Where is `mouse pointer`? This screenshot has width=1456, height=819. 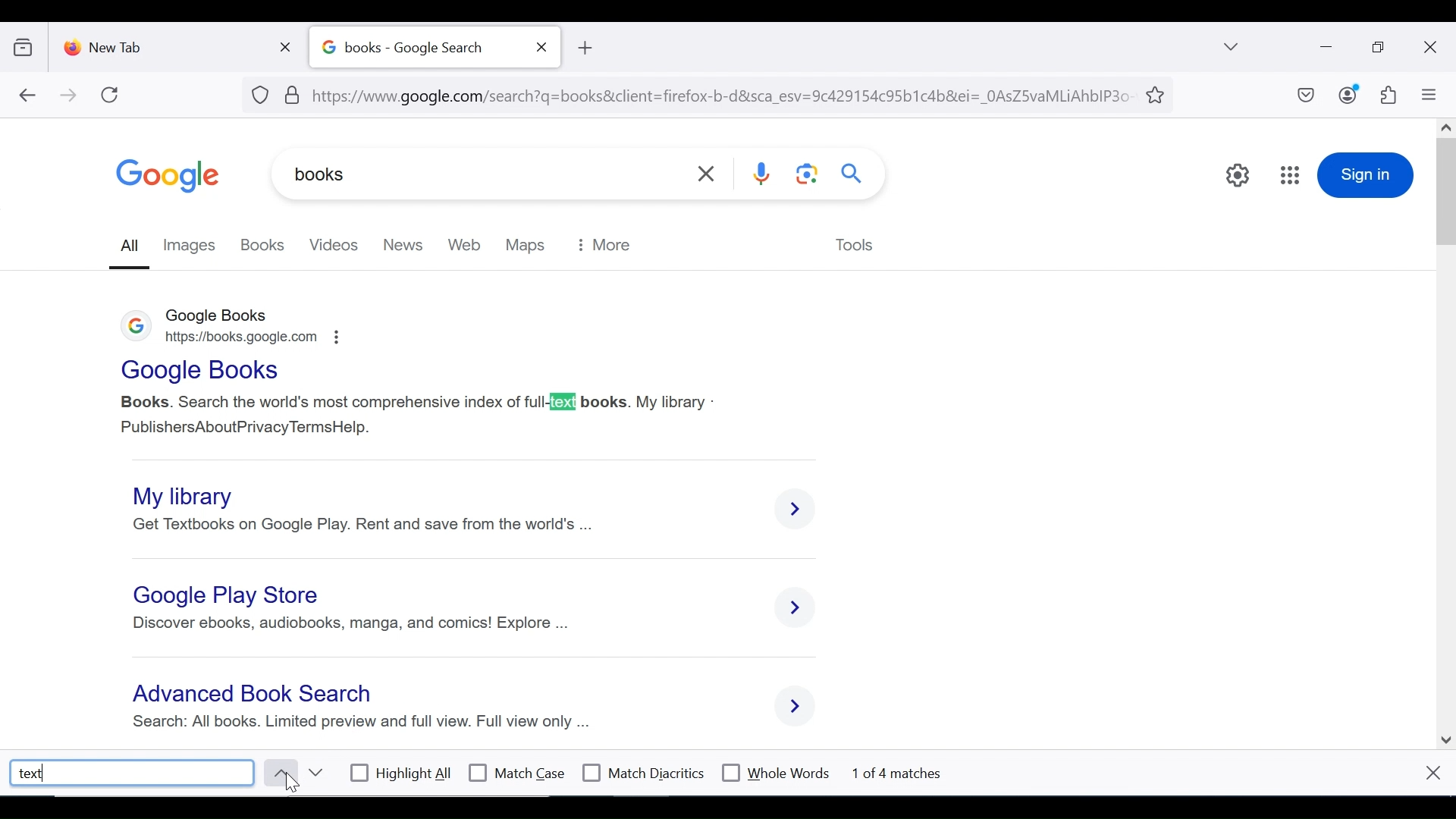
mouse pointer is located at coordinates (293, 786).